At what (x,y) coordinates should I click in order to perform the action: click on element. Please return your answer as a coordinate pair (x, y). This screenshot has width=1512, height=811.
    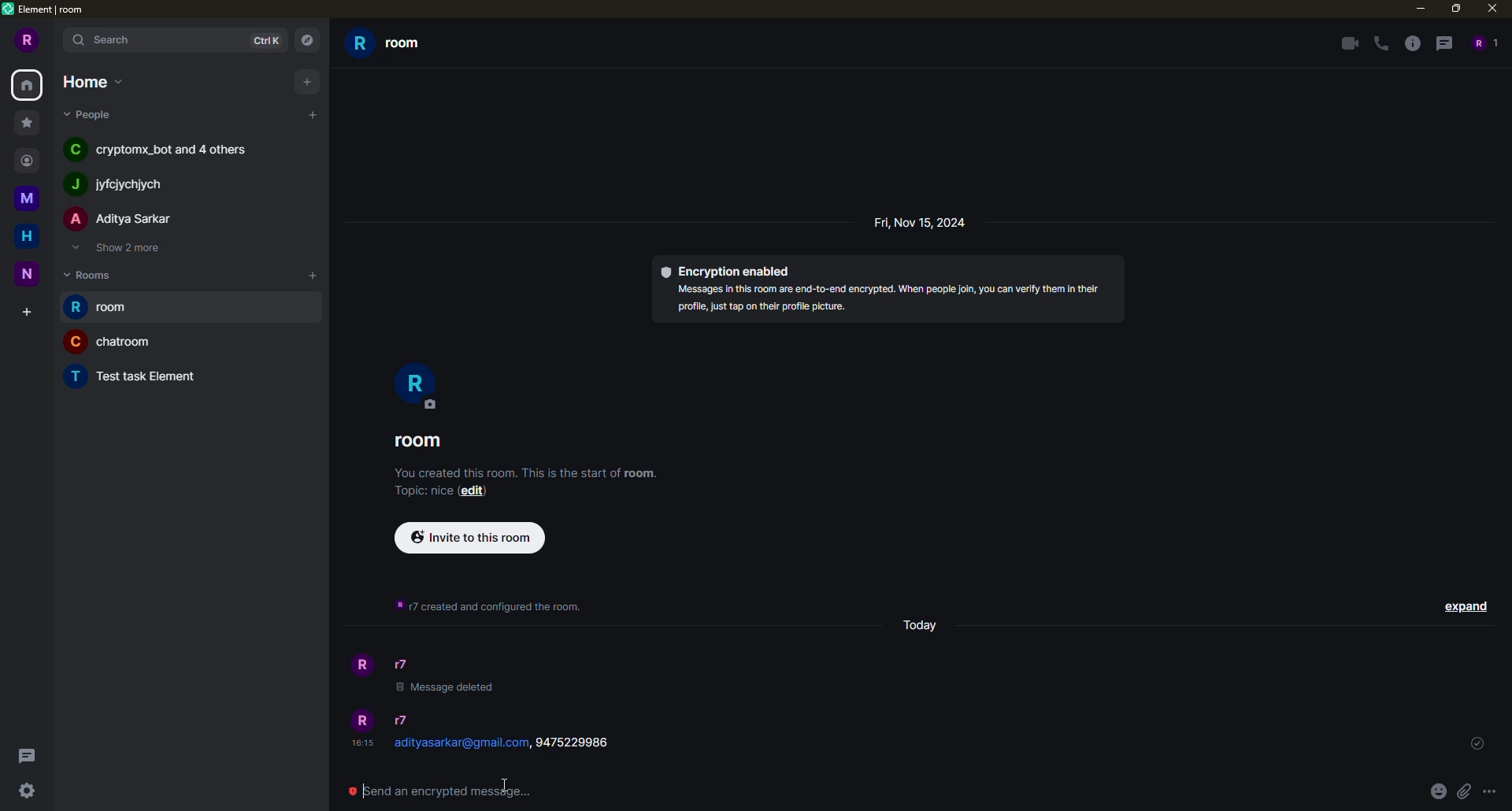
    Looking at the image, I should click on (49, 12).